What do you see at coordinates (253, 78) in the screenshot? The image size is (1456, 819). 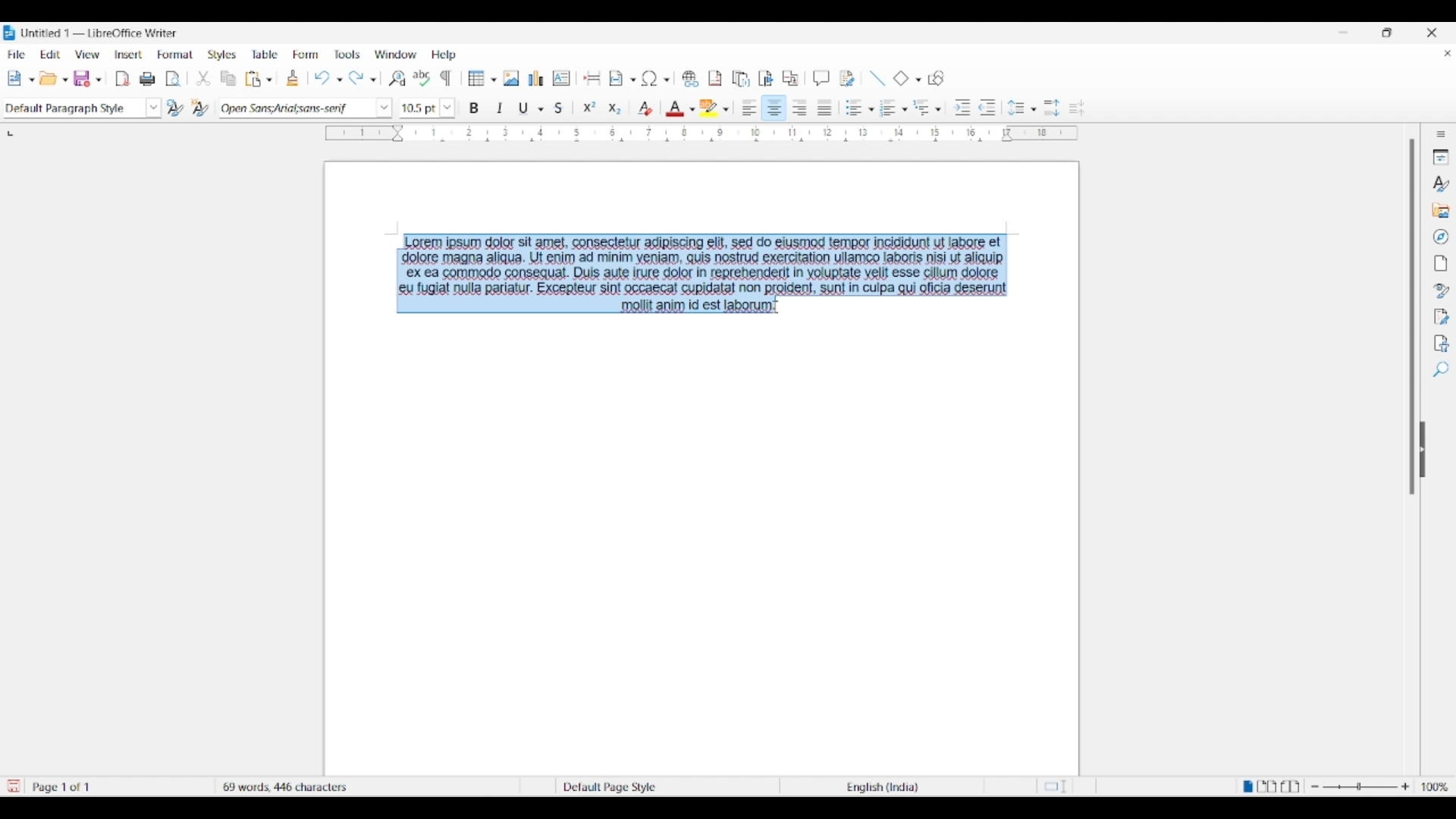 I see `Selected paste option` at bounding box center [253, 78].